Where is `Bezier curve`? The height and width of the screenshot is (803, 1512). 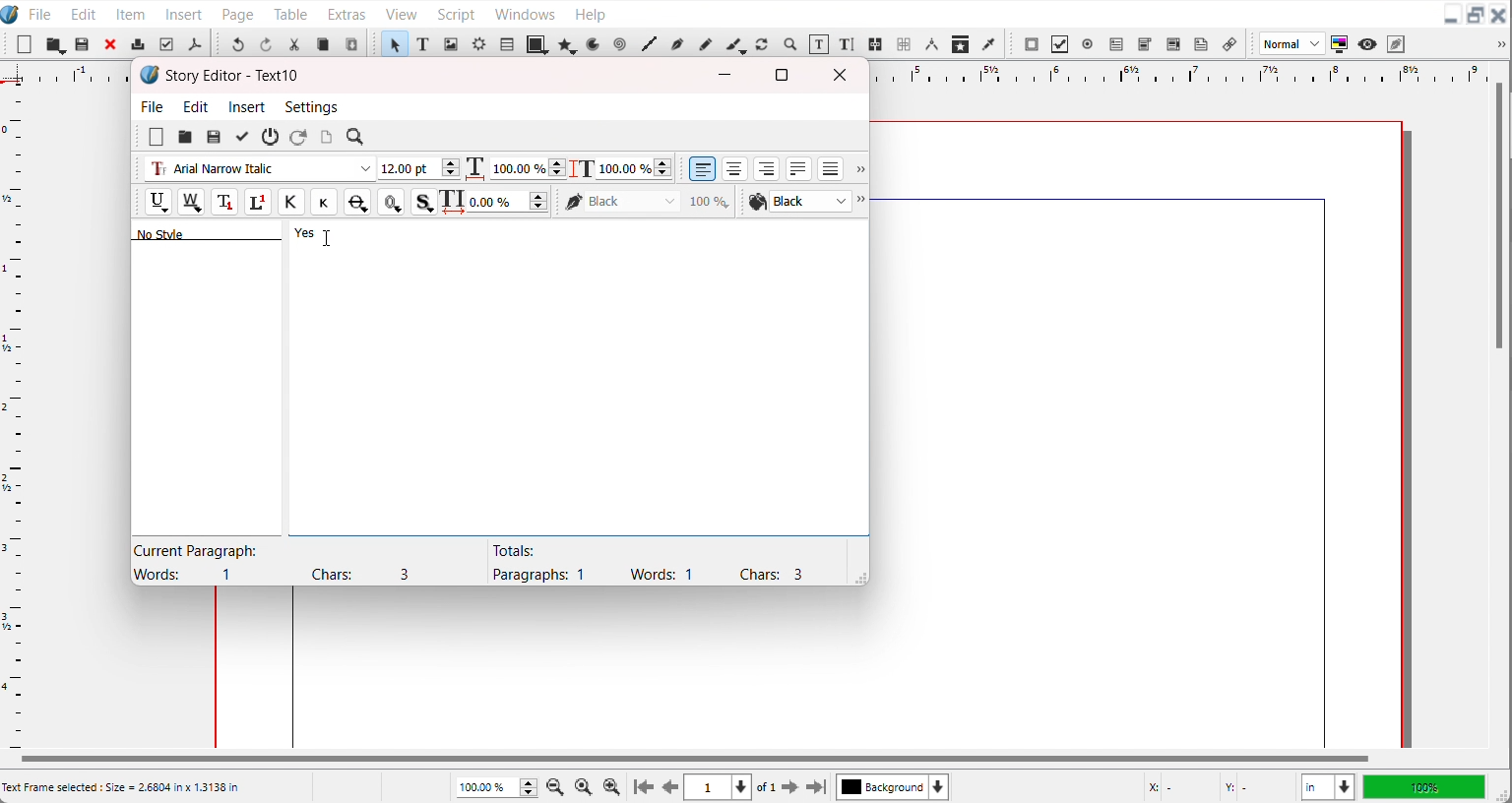 Bezier curve is located at coordinates (676, 44).